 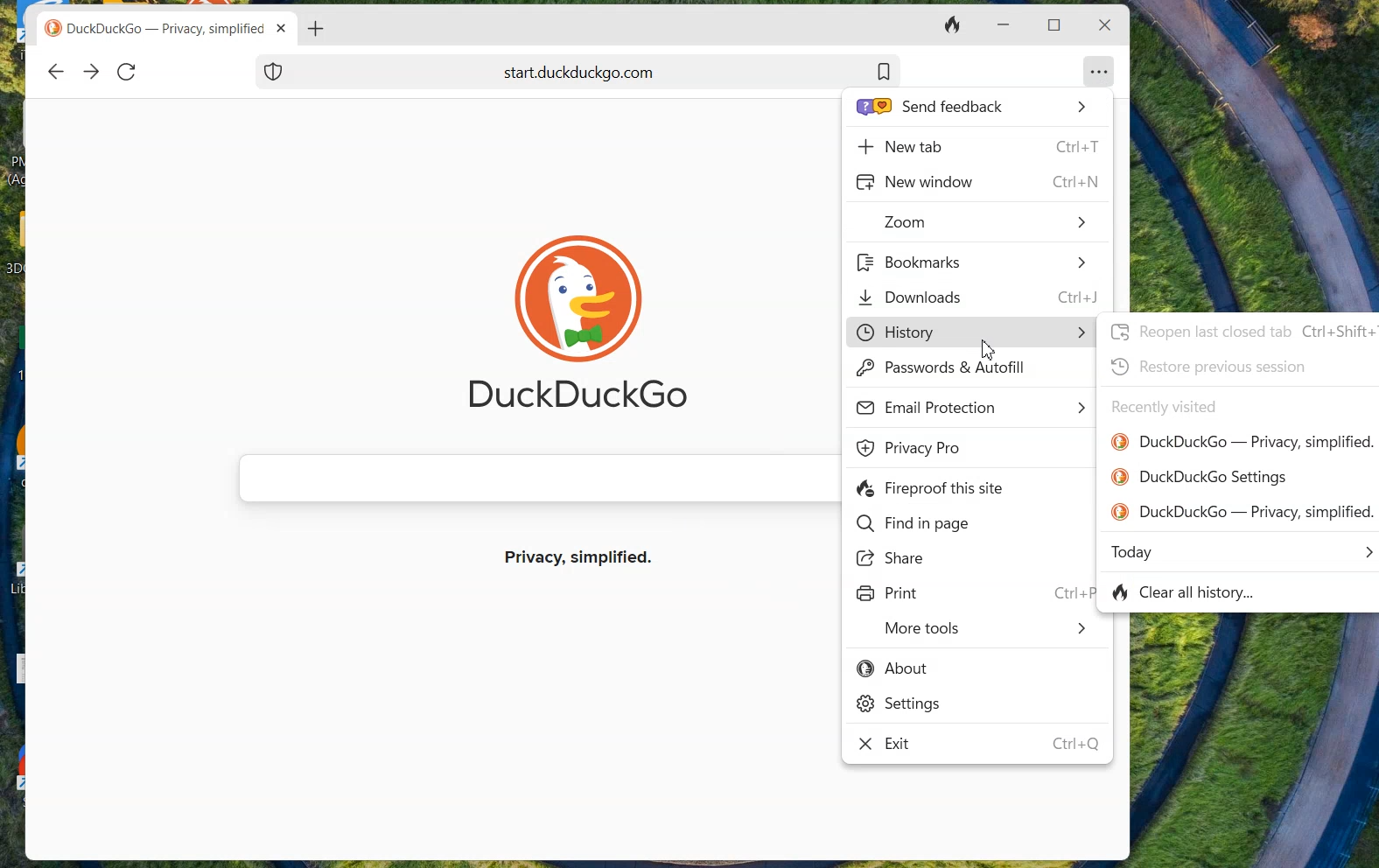 What do you see at coordinates (1191, 594) in the screenshot?
I see `Clear all history..` at bounding box center [1191, 594].